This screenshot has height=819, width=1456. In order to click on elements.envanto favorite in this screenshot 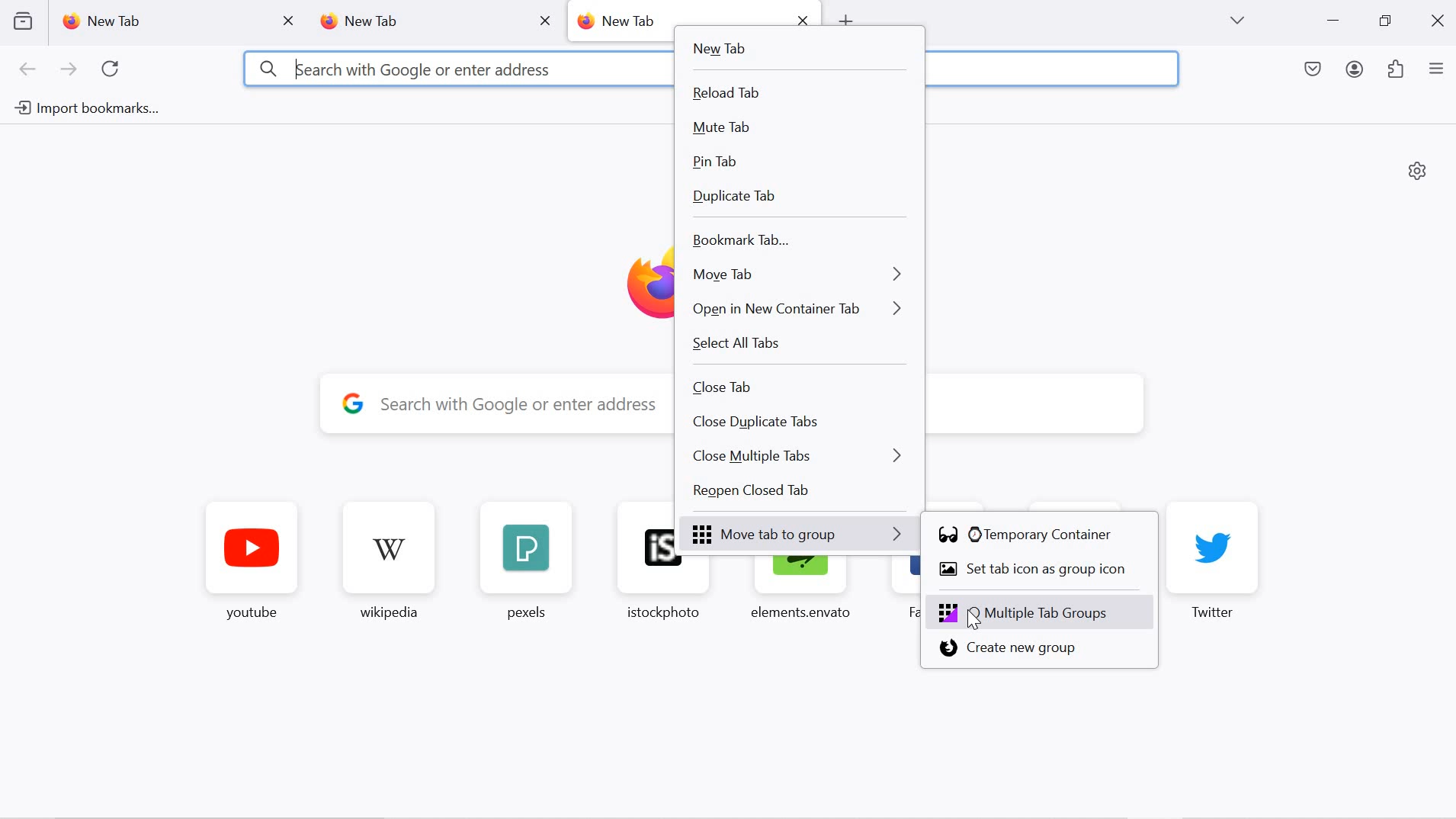, I will do `click(799, 592)`.